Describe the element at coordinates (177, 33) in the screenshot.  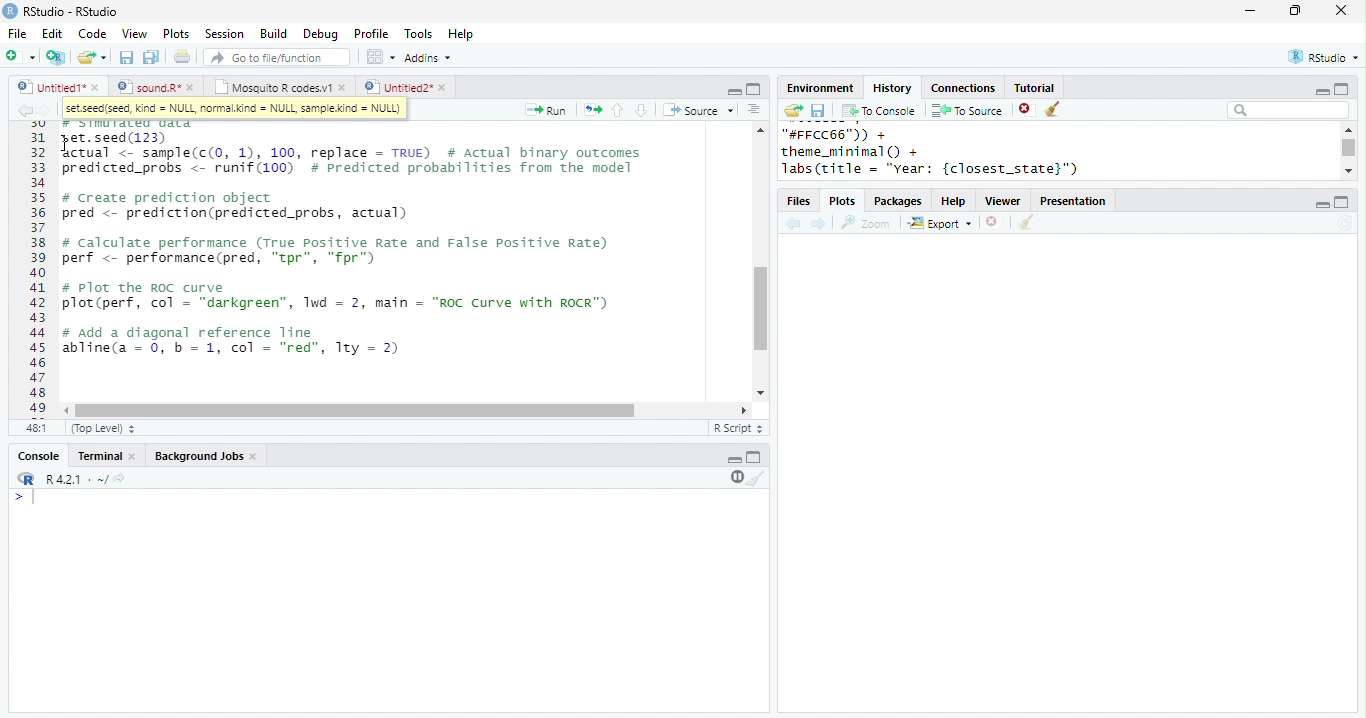
I see `Plots` at that location.